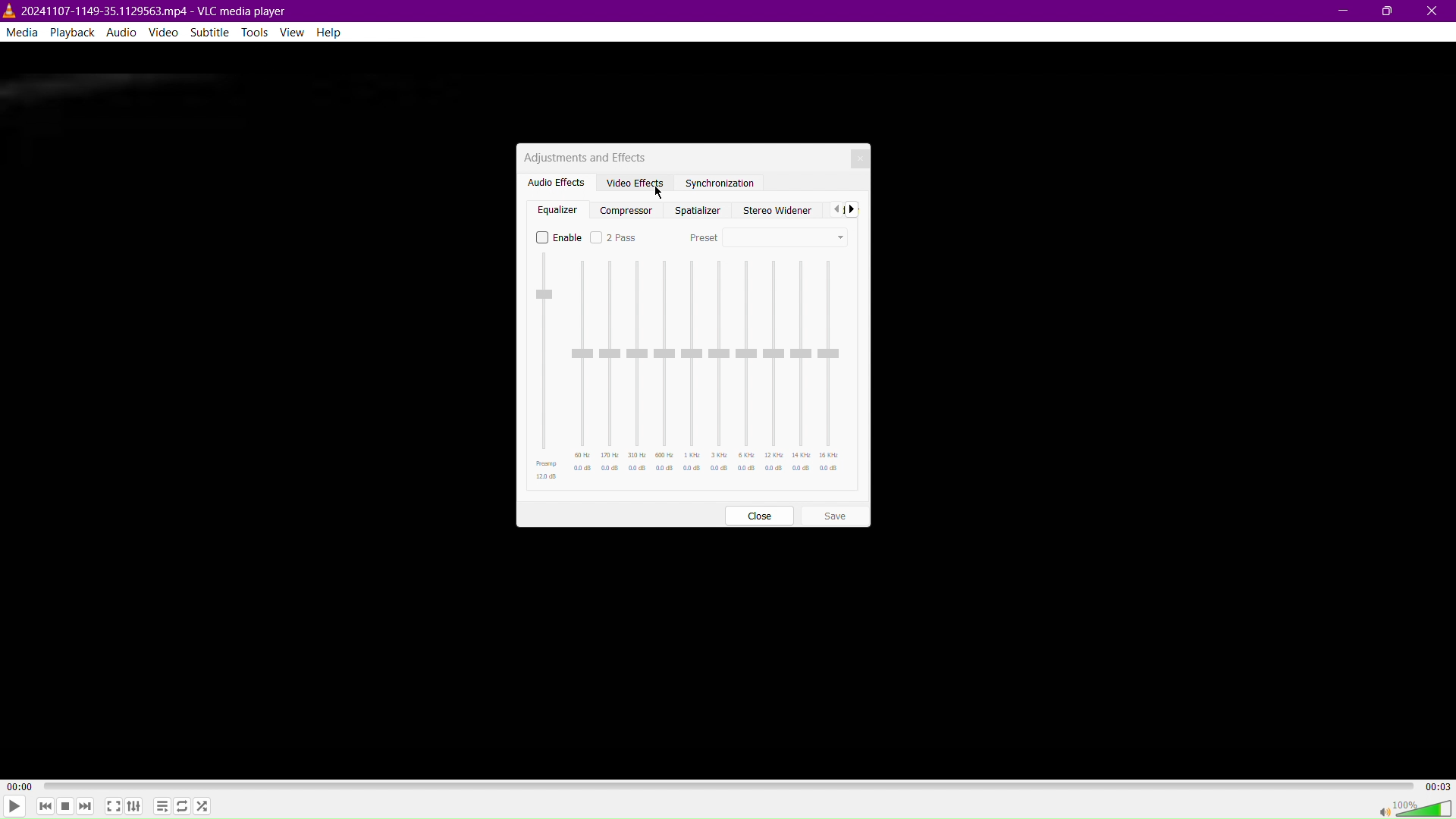  Describe the element at coordinates (559, 237) in the screenshot. I see `Enable` at that location.